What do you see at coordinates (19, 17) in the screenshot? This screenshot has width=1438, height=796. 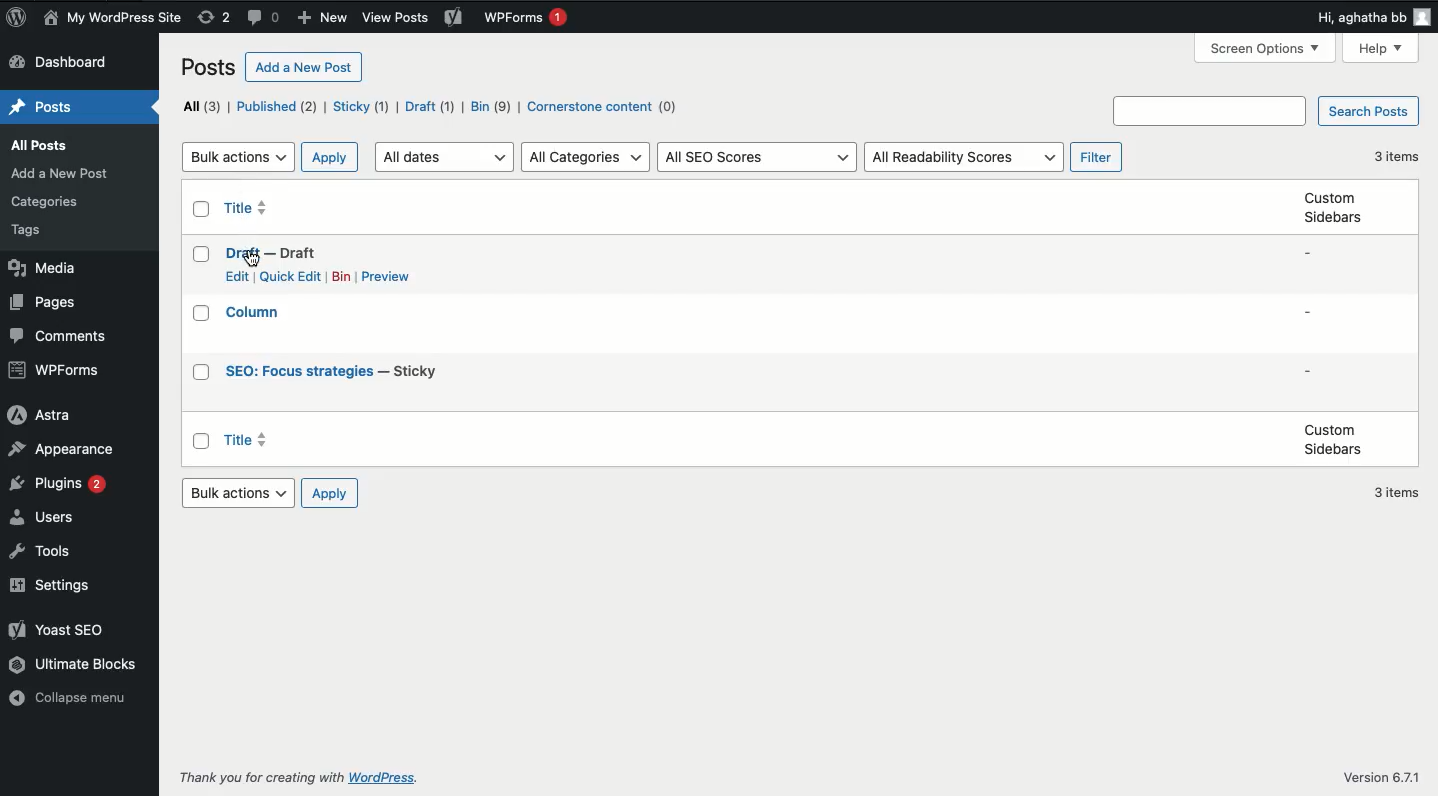 I see `Logo` at bounding box center [19, 17].